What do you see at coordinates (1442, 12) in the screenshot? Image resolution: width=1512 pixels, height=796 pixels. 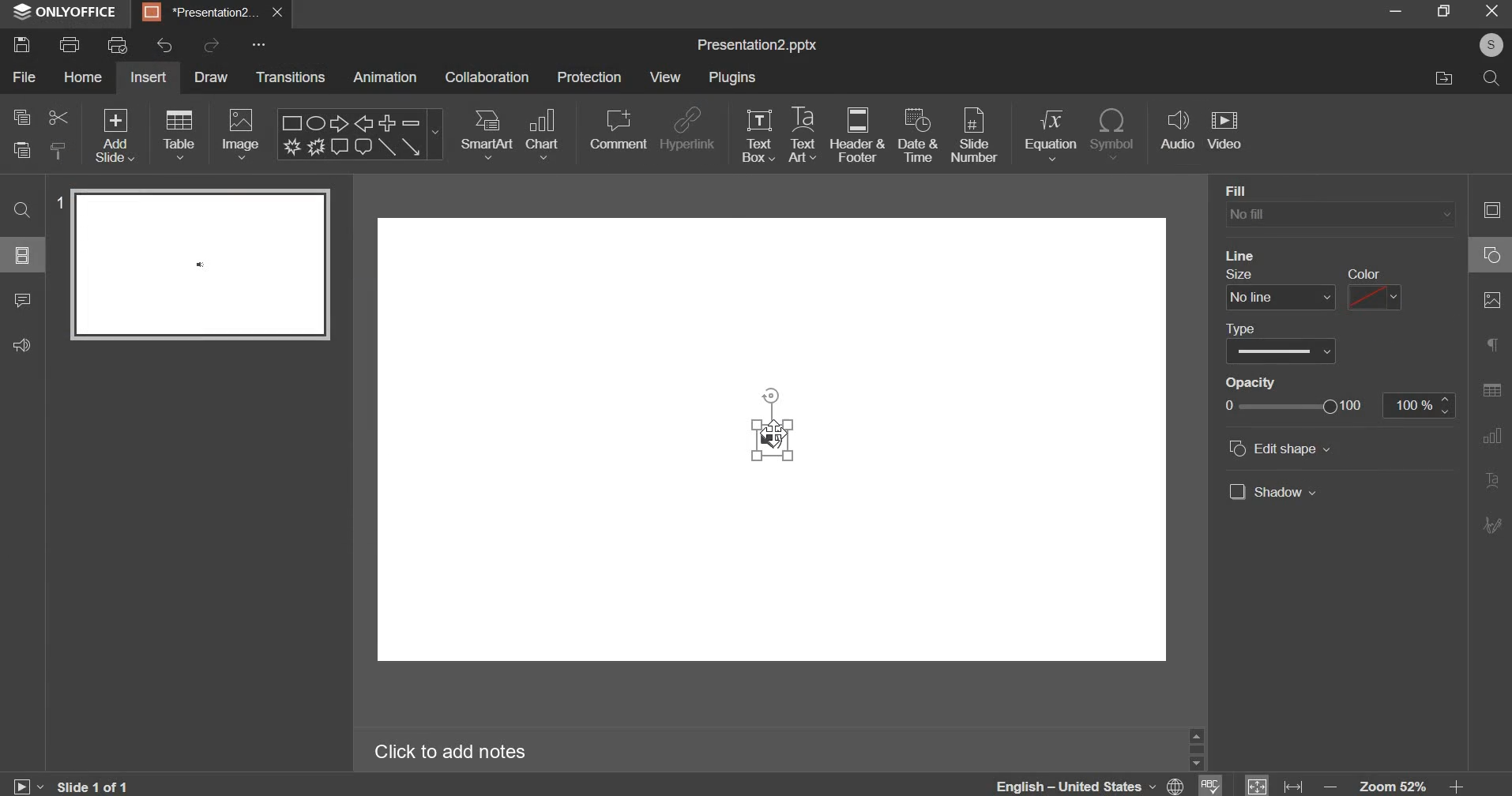 I see `maximize` at bounding box center [1442, 12].